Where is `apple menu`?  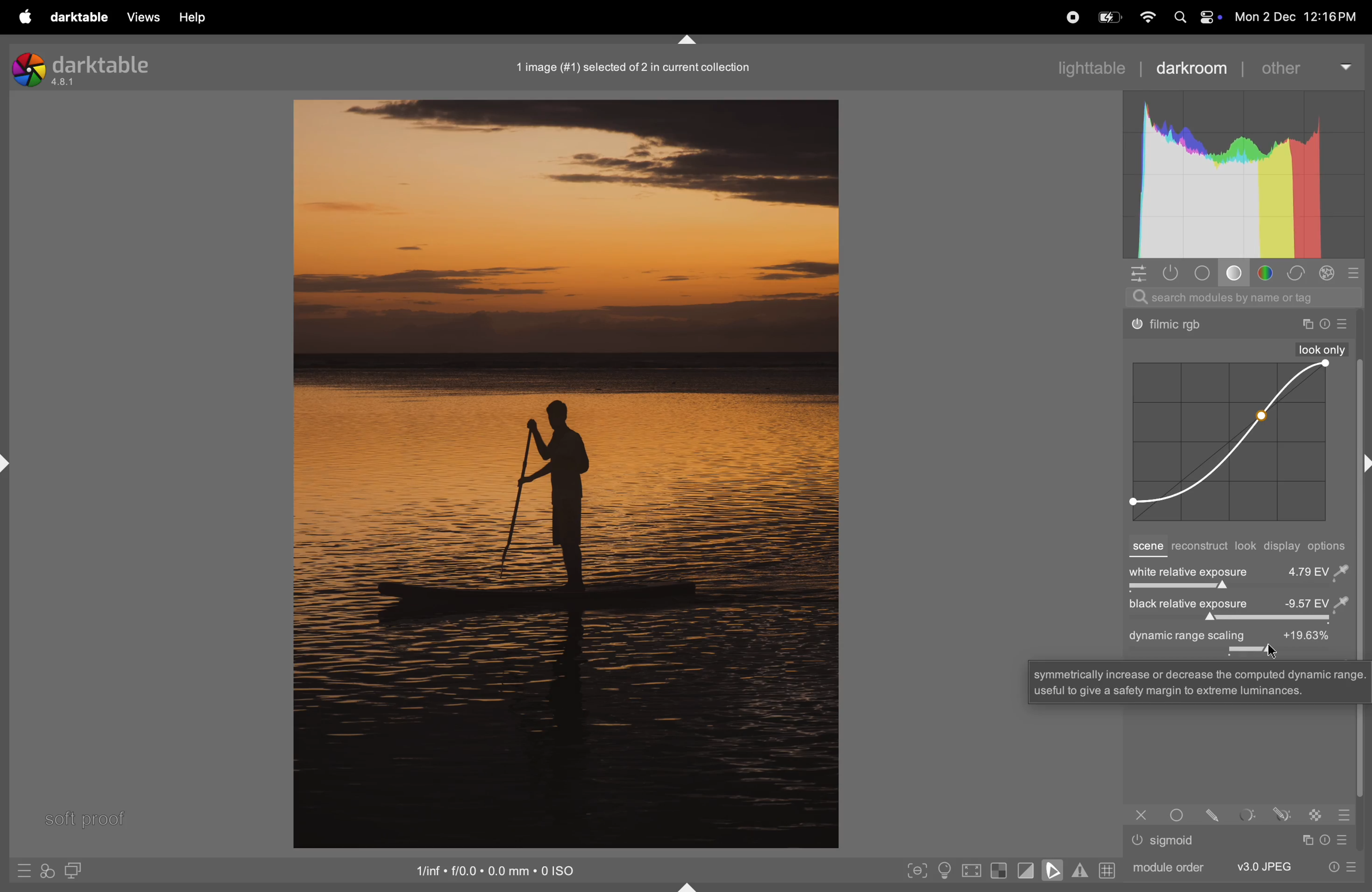
apple menu is located at coordinates (22, 17).